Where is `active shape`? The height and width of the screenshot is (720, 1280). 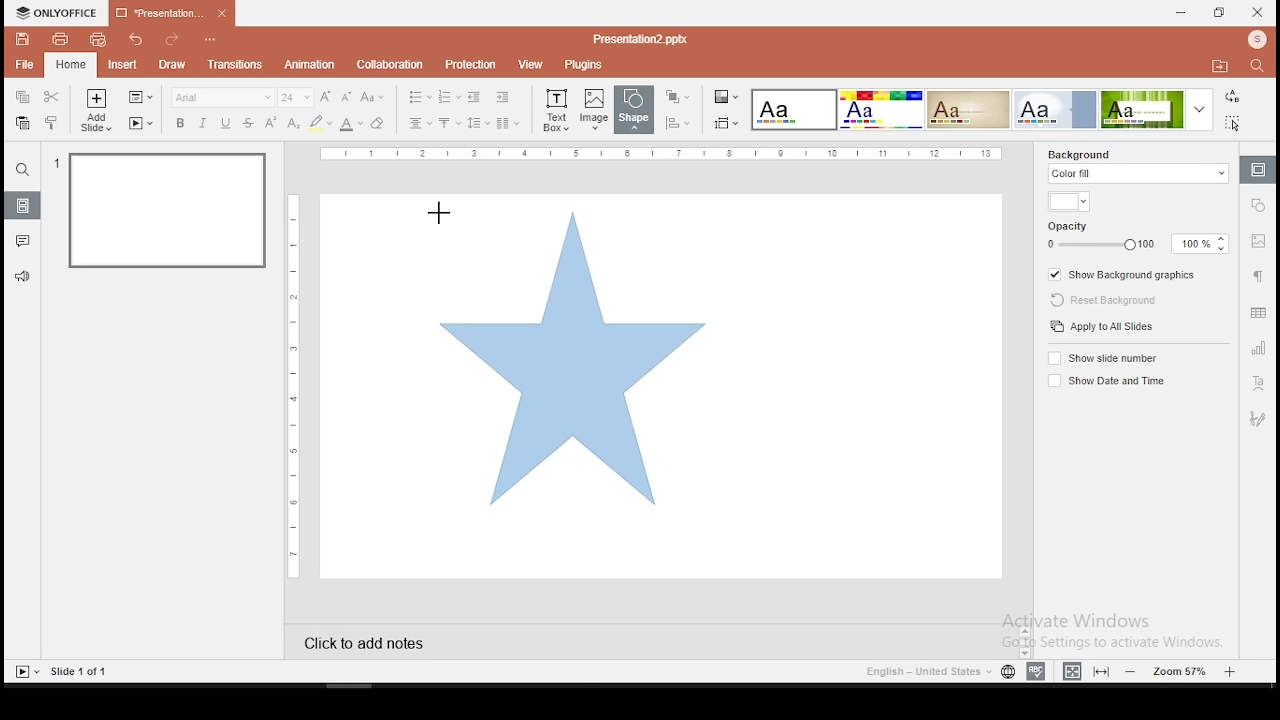 active shape is located at coordinates (573, 355).